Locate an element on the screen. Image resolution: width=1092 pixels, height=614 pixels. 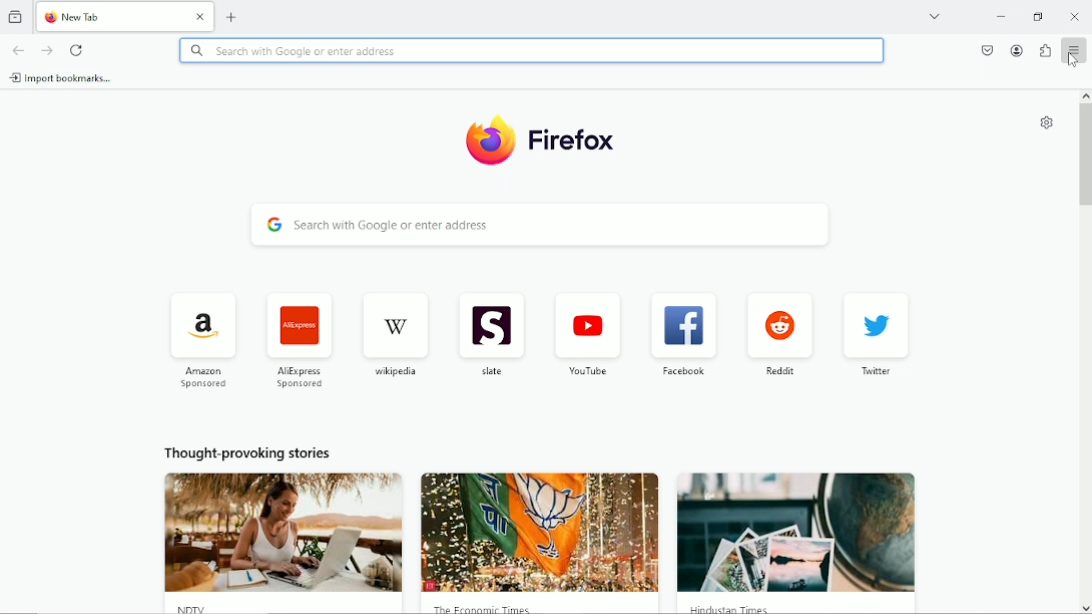
Hindustan Times is located at coordinates (796, 604).